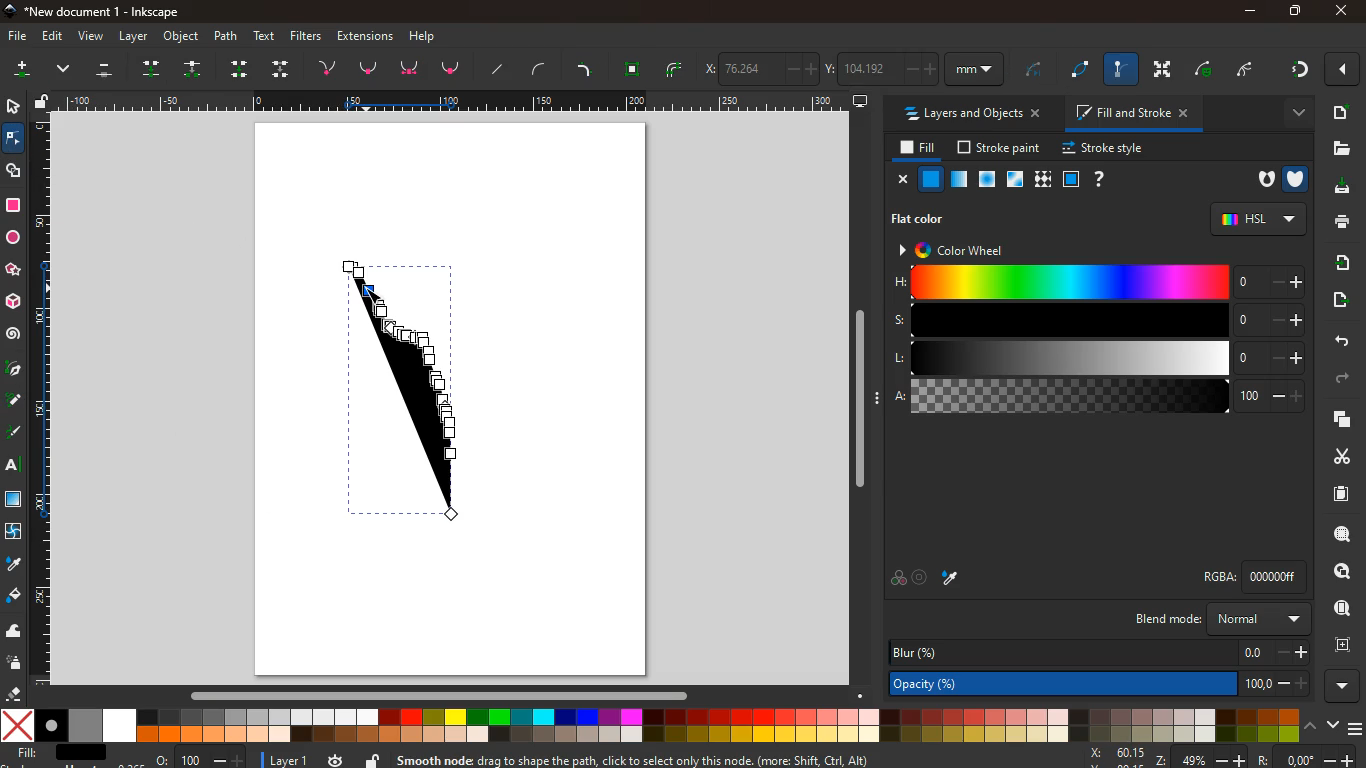 The width and height of the screenshot is (1366, 768). Describe the element at coordinates (365, 35) in the screenshot. I see `extensions` at that location.